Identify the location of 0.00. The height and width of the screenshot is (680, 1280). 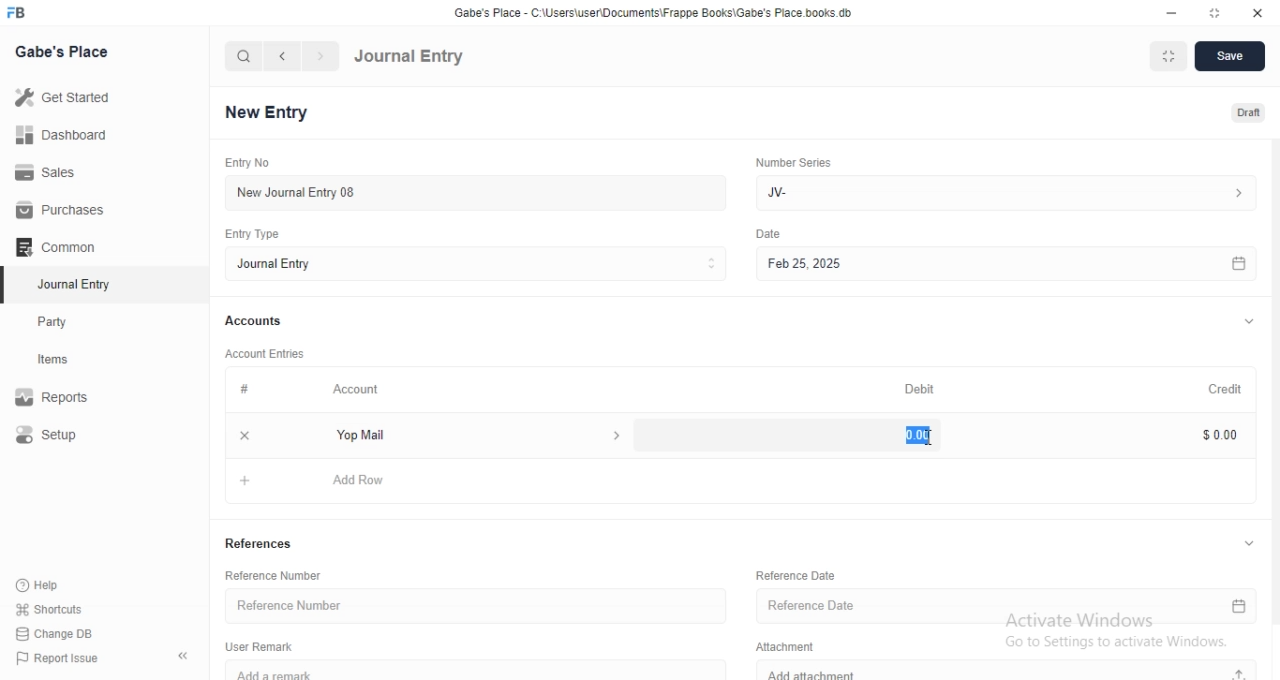
(911, 435).